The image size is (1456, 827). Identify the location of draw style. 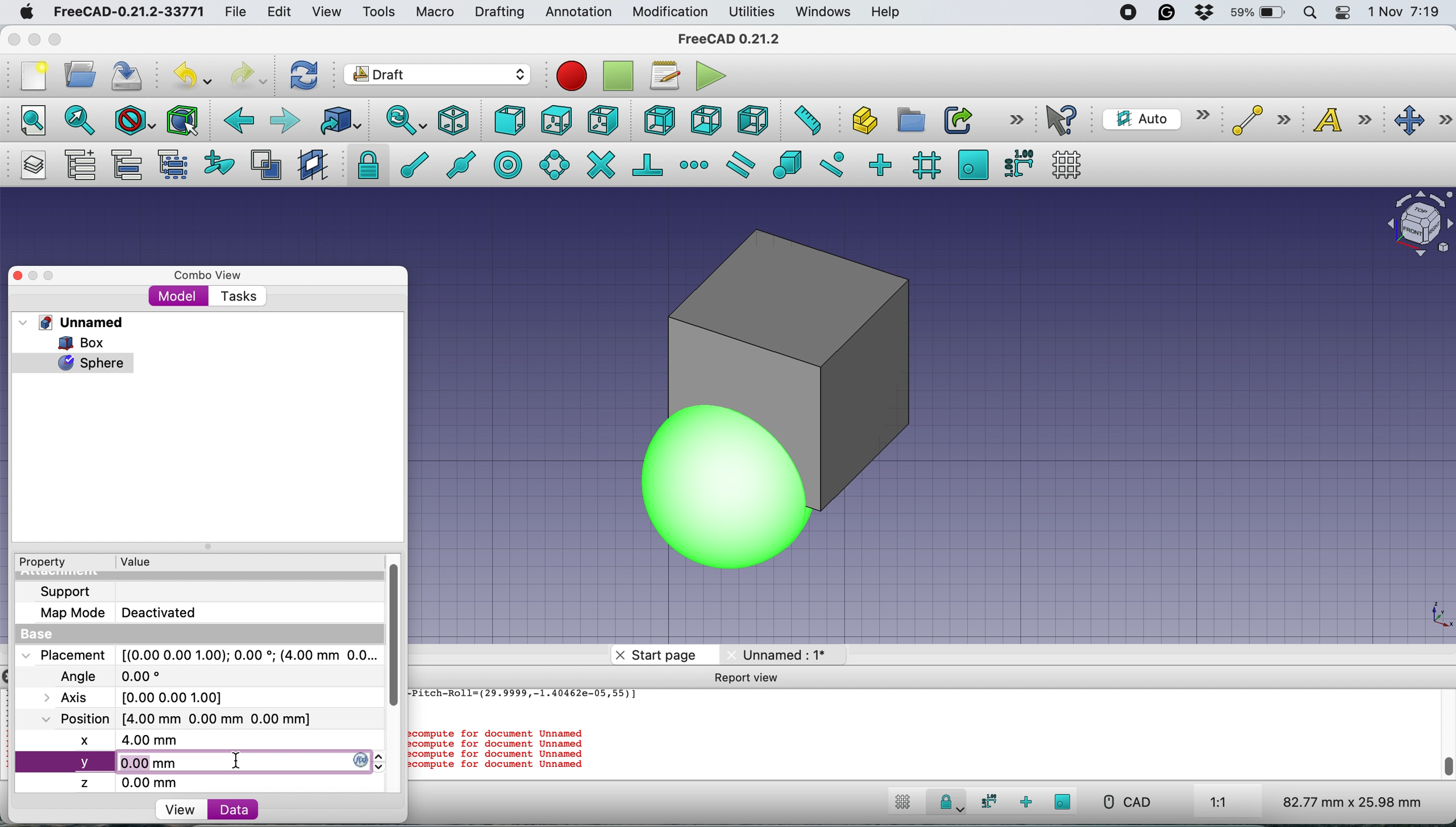
(135, 122).